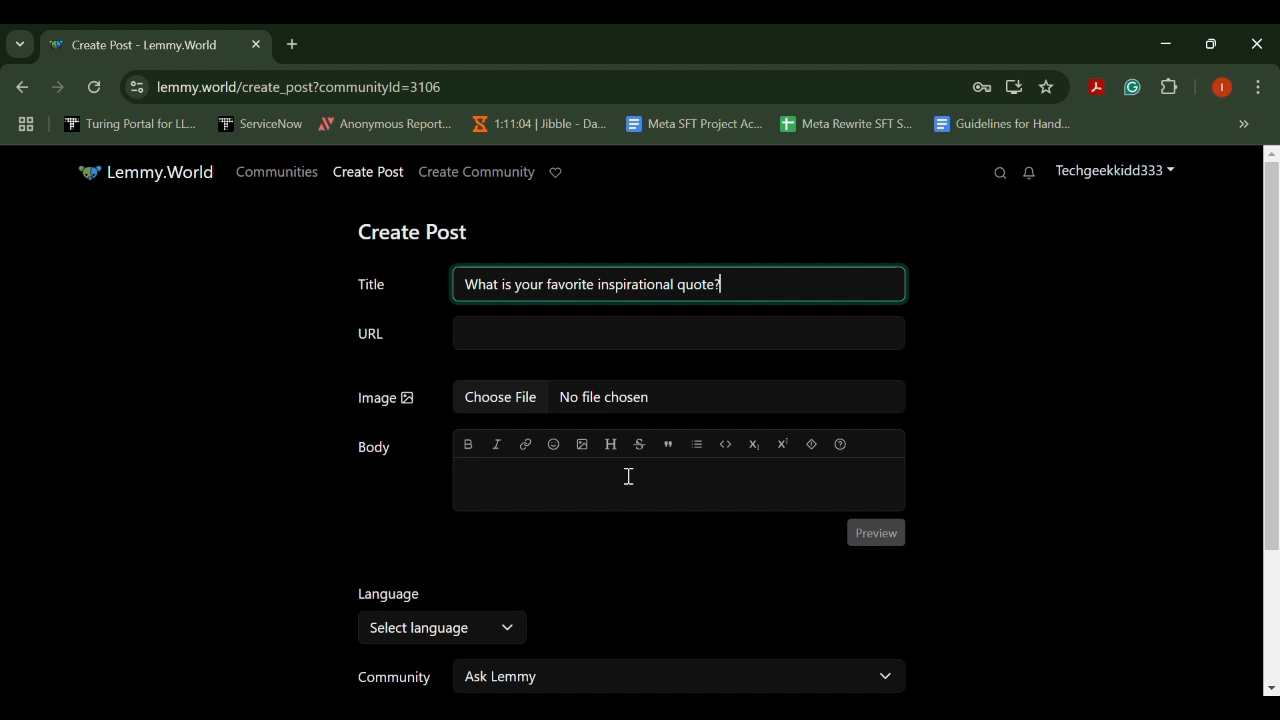 The width and height of the screenshot is (1280, 720). Describe the element at coordinates (1222, 89) in the screenshot. I see `Browser Profile ` at that location.